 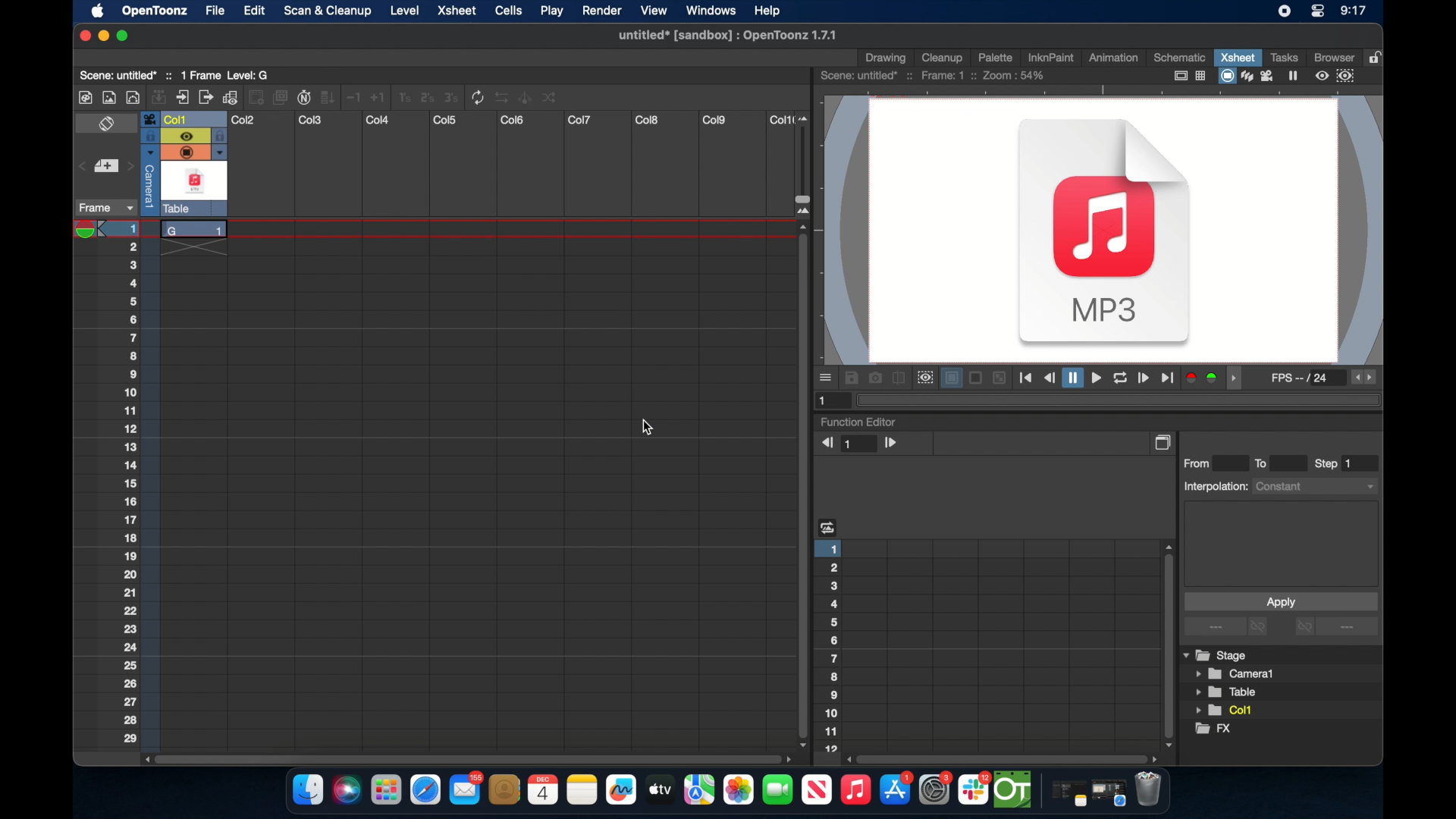 What do you see at coordinates (1336, 628) in the screenshot?
I see `more options` at bounding box center [1336, 628].